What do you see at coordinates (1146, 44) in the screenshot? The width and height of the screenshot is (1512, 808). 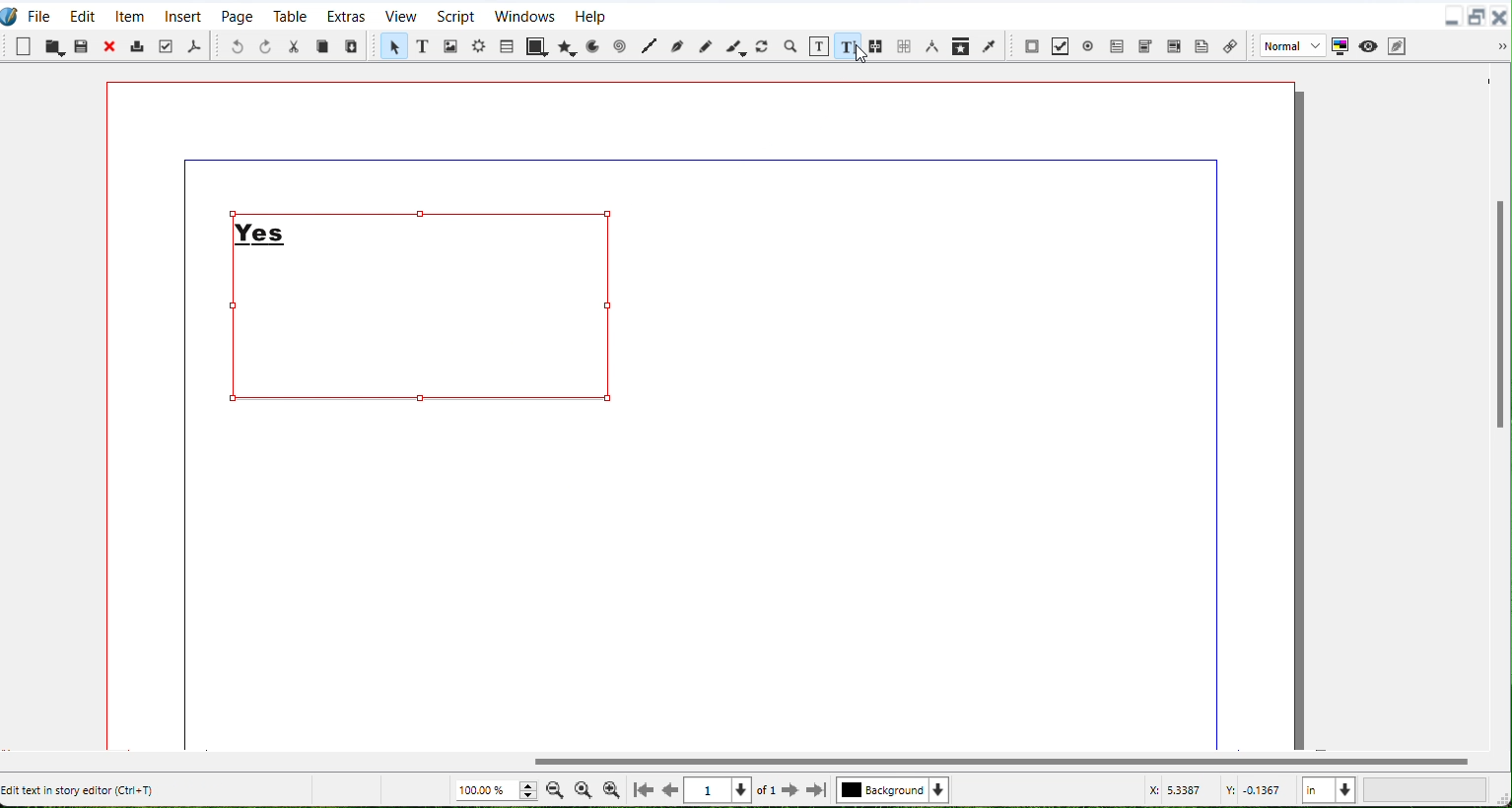 I see `PDF Combo box` at bounding box center [1146, 44].